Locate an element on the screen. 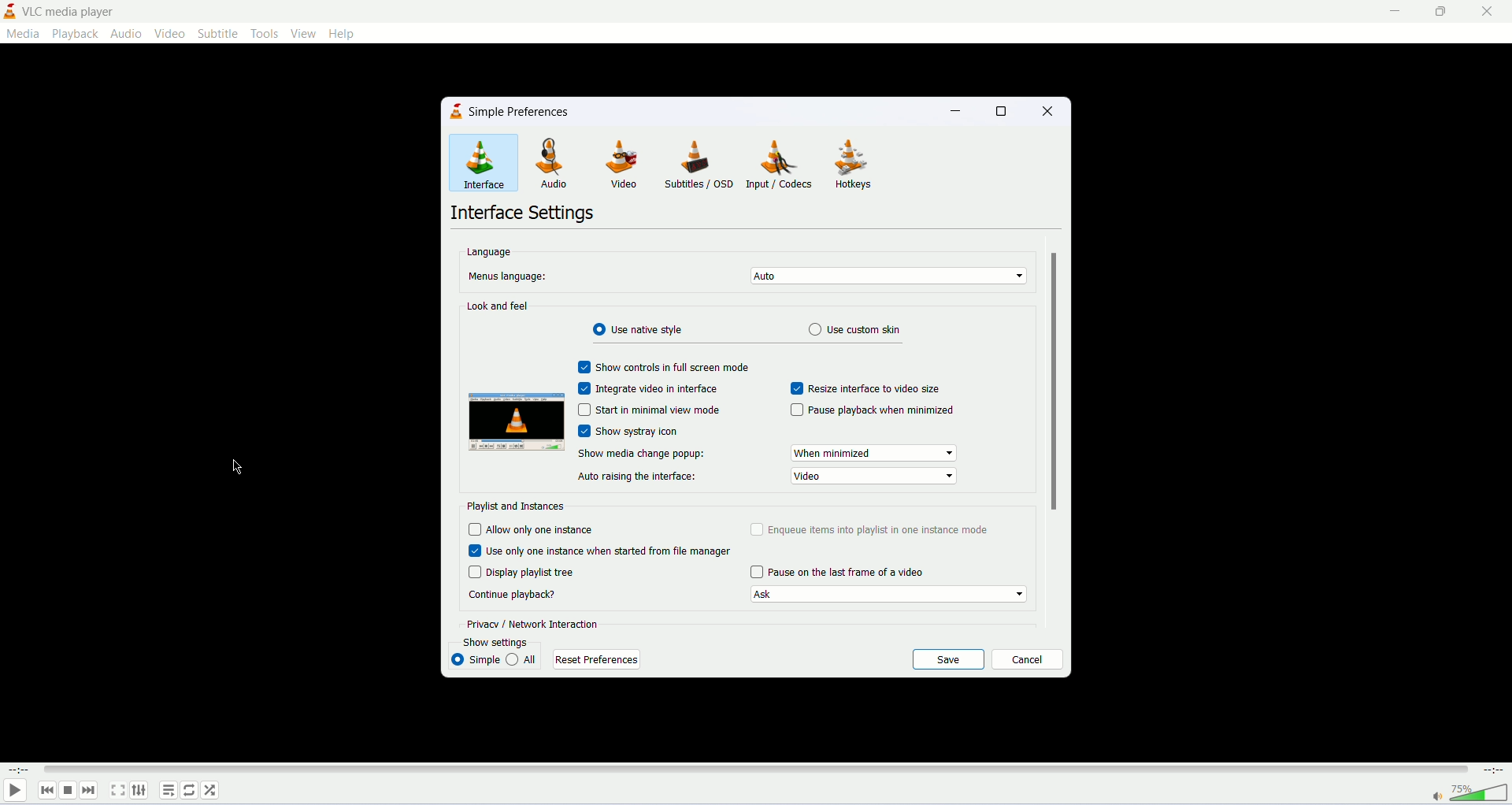 This screenshot has height=805, width=1512. extended settings is located at coordinates (139, 790).